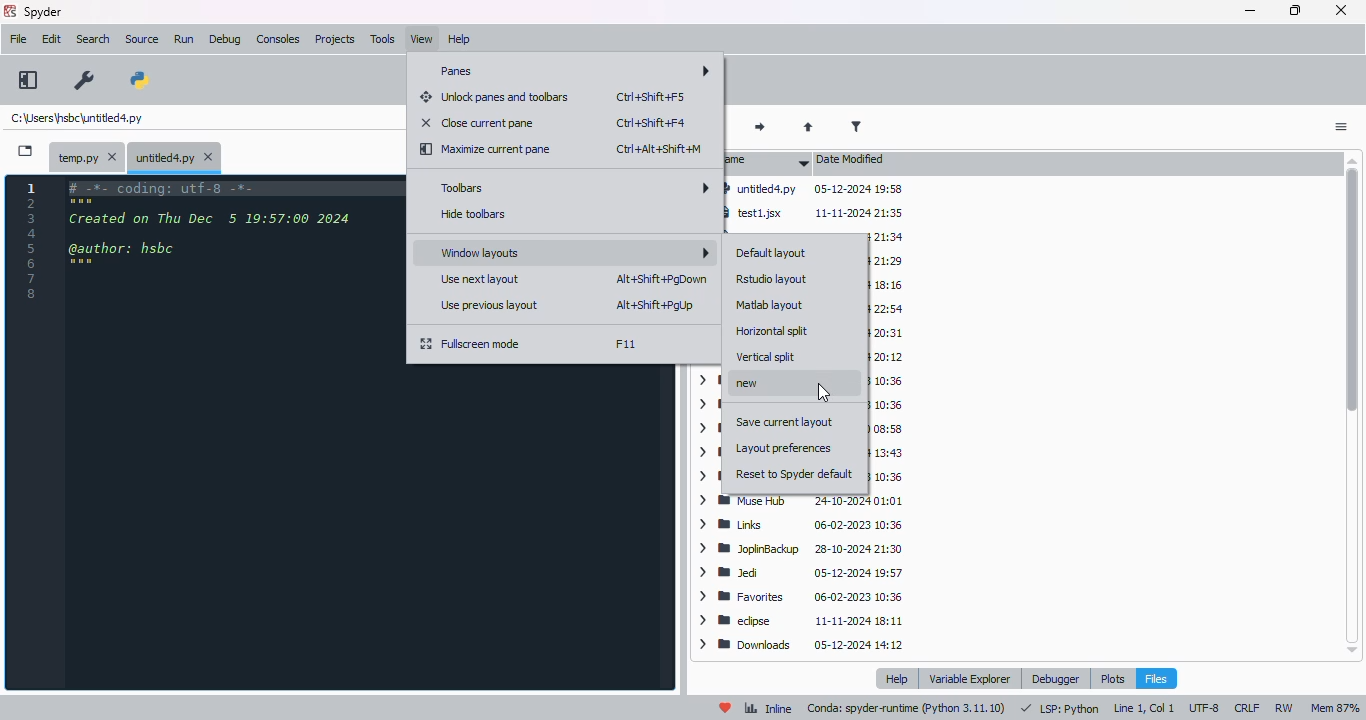  Describe the element at coordinates (89, 158) in the screenshot. I see `temporary file` at that location.